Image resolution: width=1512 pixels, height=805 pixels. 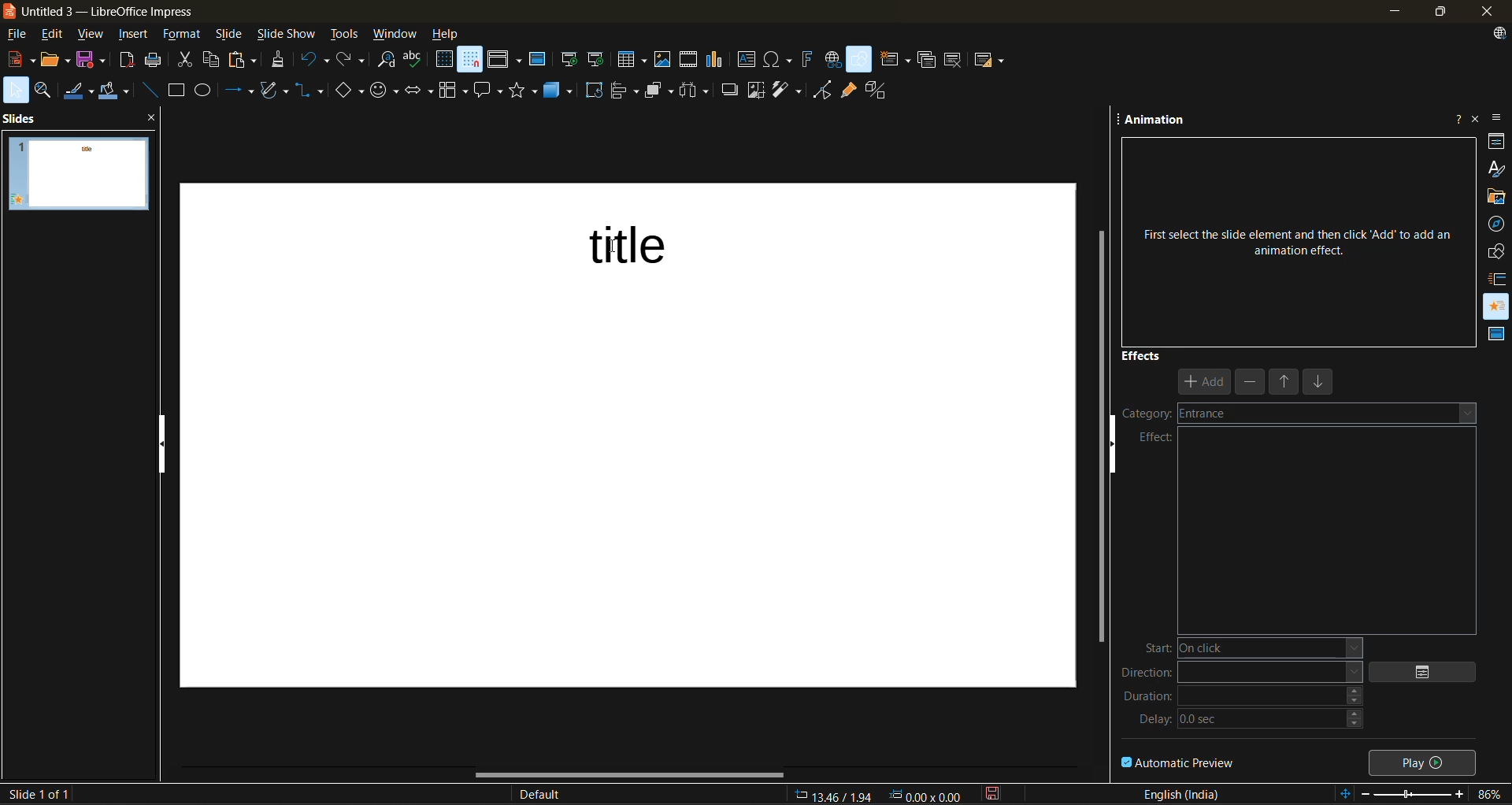 What do you see at coordinates (631, 774) in the screenshot?
I see `horizontal scroll bar` at bounding box center [631, 774].